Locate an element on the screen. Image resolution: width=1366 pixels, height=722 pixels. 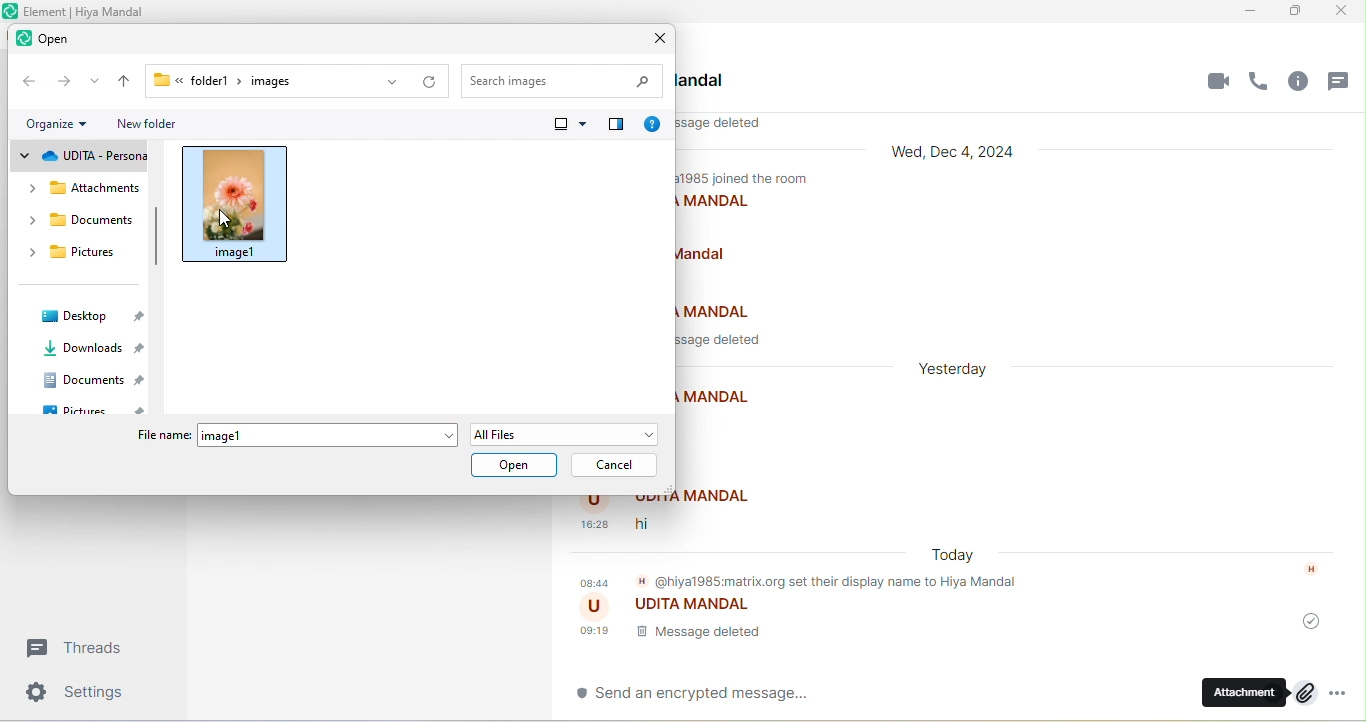
organize is located at coordinates (60, 125).